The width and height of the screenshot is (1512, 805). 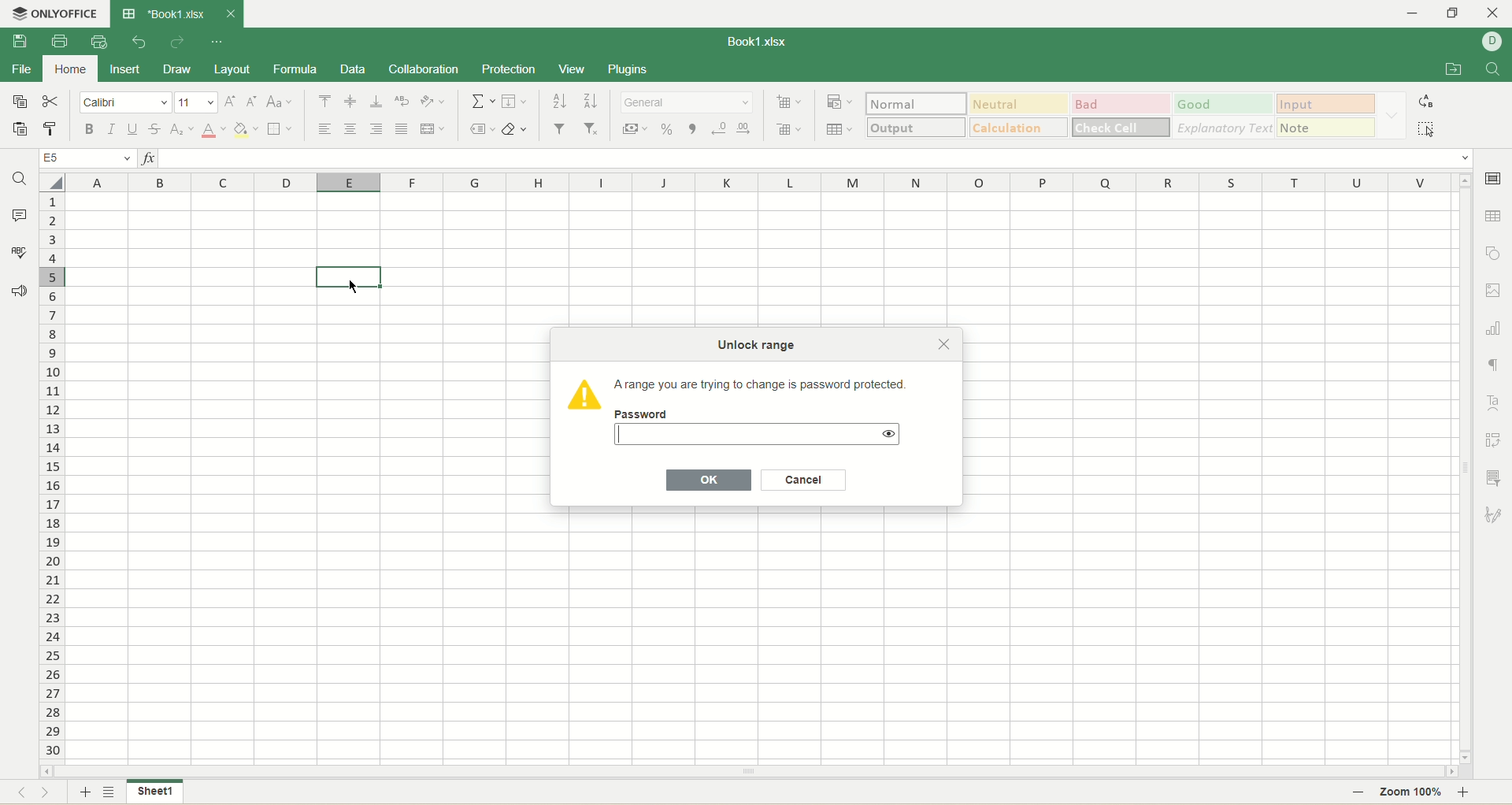 I want to click on column name, so click(x=765, y=179).